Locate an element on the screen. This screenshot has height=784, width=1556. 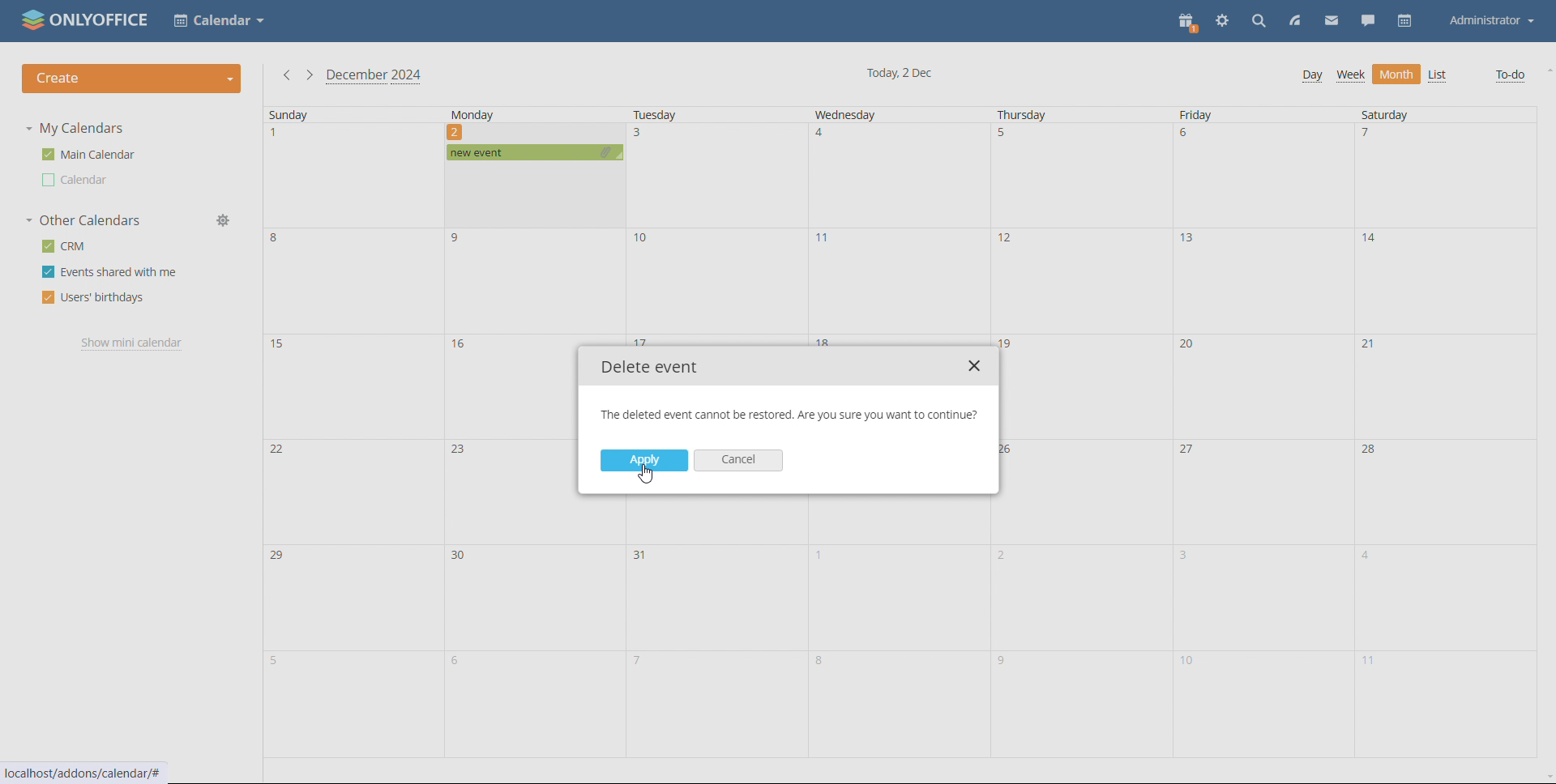
20 is located at coordinates (1191, 346).